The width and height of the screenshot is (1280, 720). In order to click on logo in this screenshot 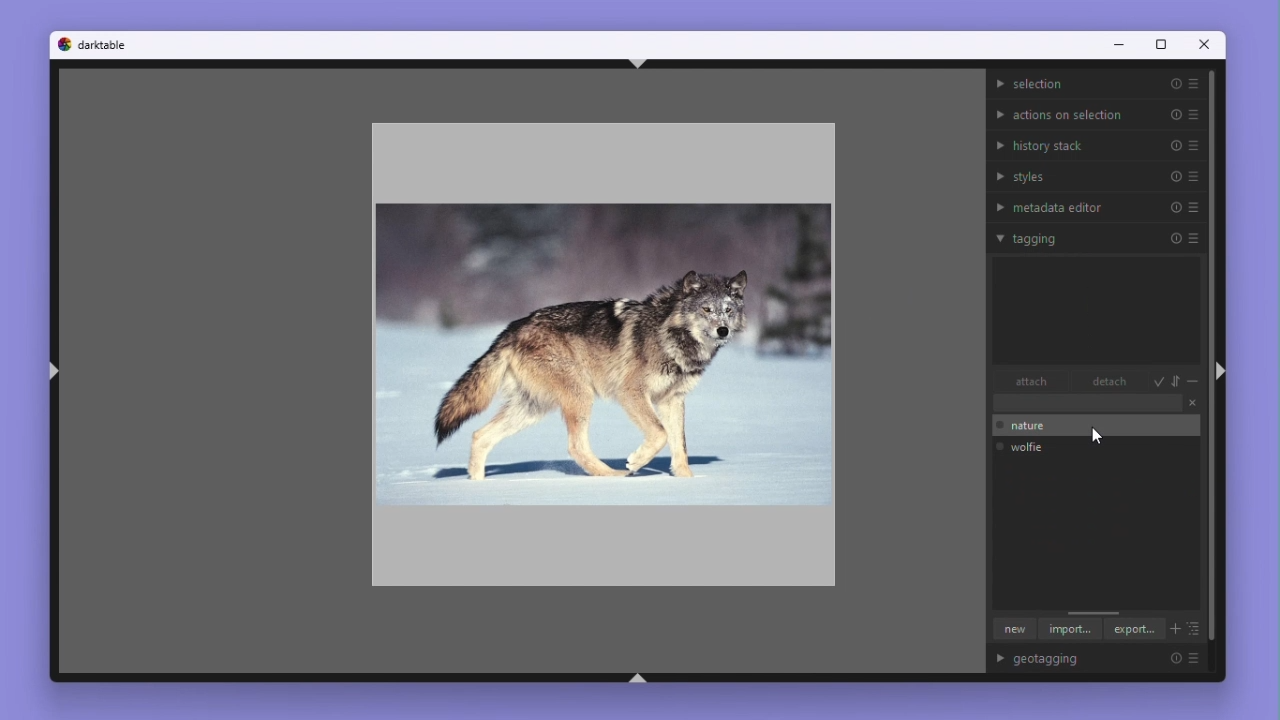, I will do `click(63, 43)`.